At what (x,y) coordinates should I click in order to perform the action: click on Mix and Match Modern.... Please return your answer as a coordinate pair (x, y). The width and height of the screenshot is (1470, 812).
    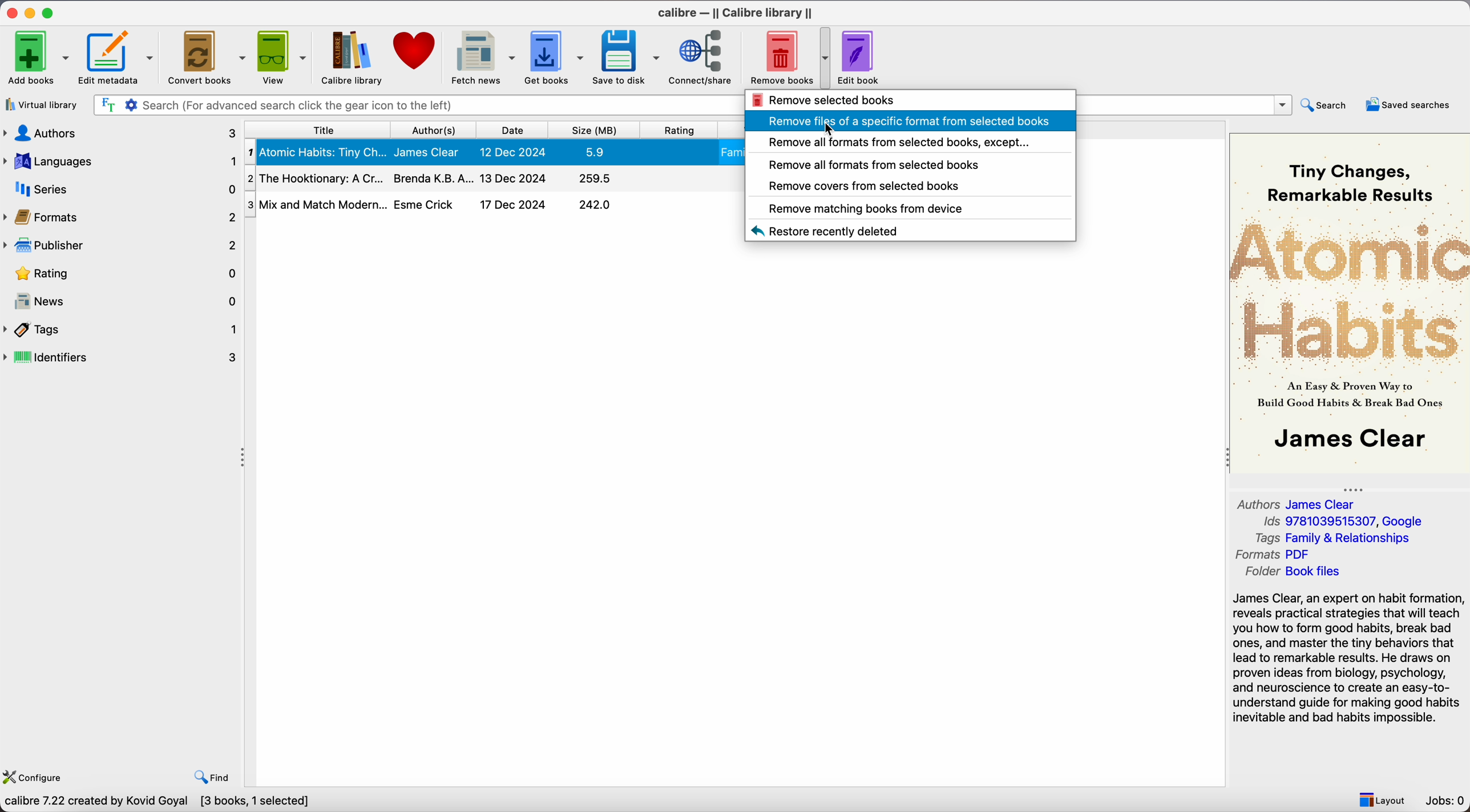
    Looking at the image, I should click on (316, 201).